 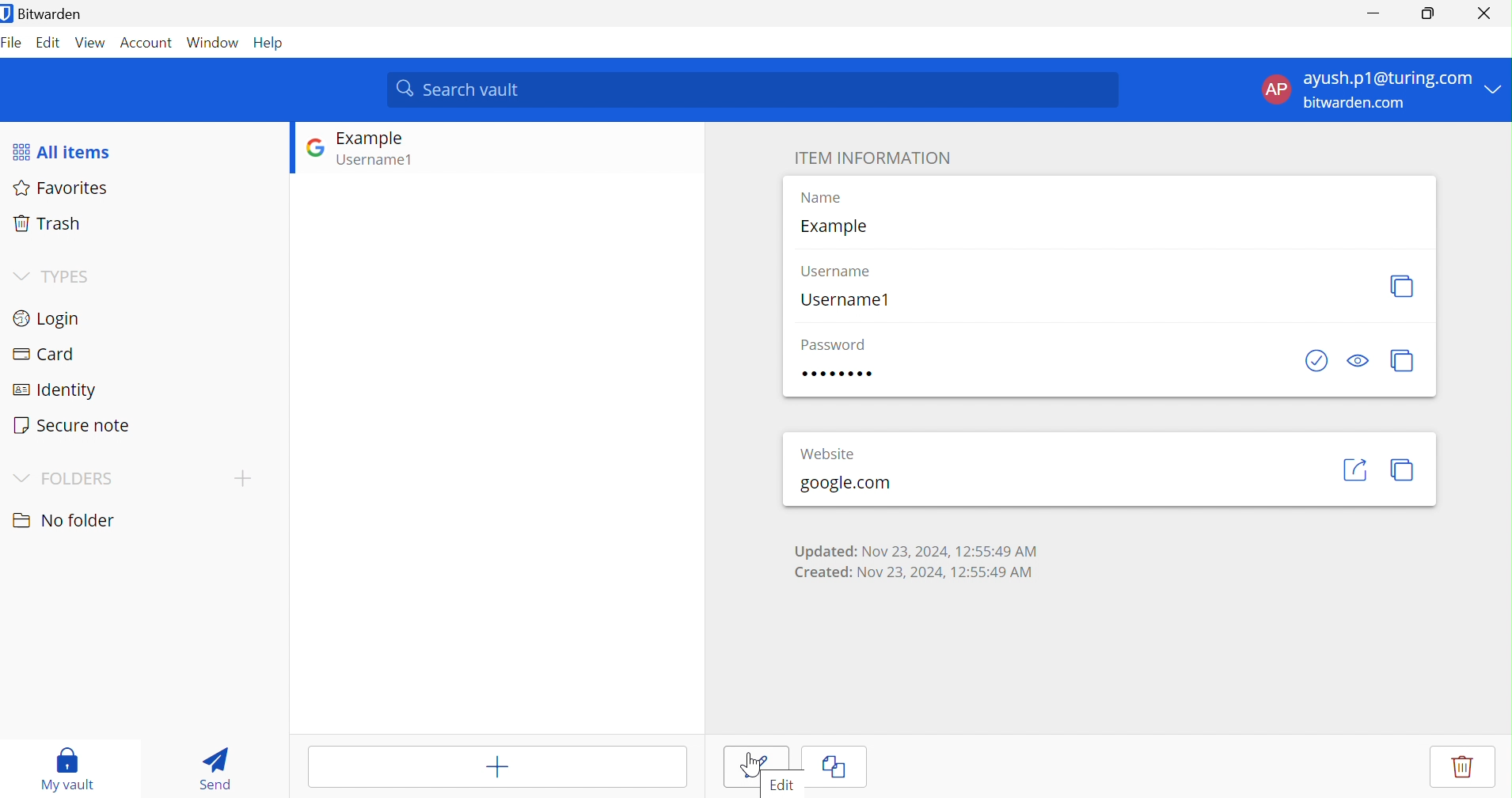 What do you see at coordinates (496, 765) in the screenshot?
I see `Add item` at bounding box center [496, 765].